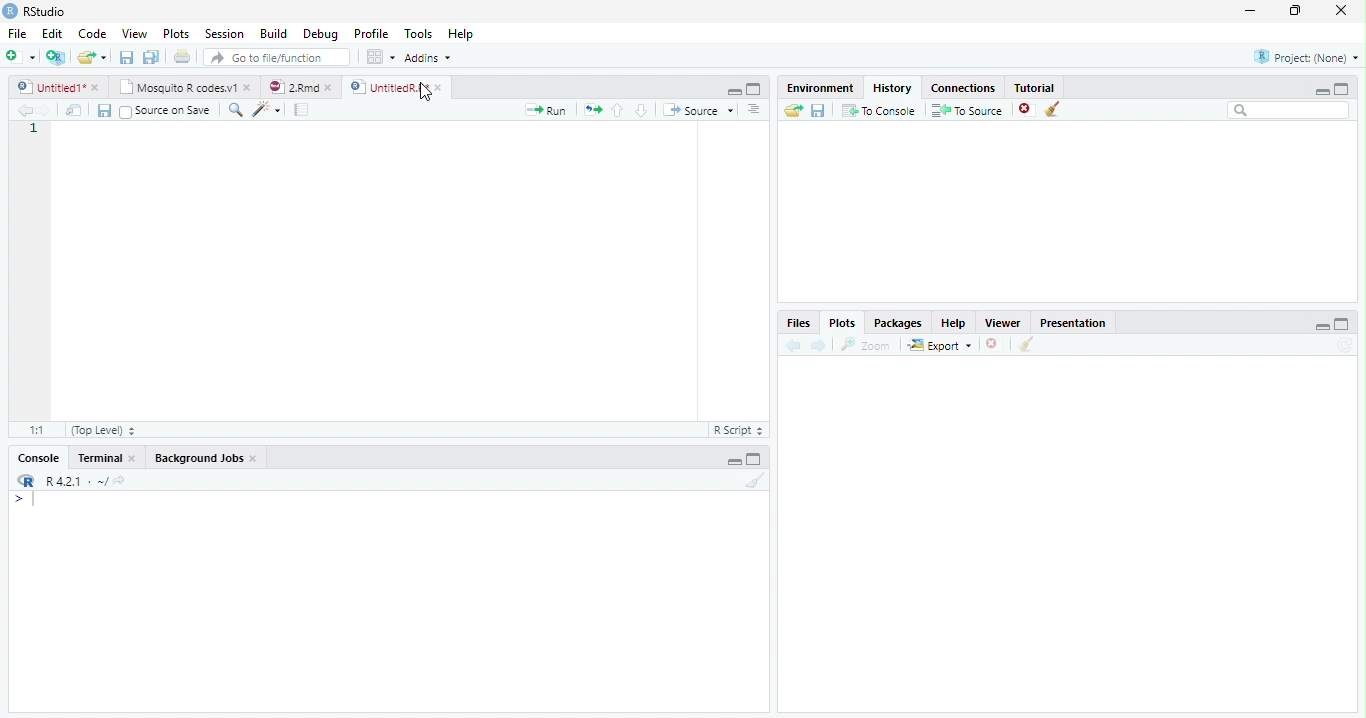 The image size is (1366, 718). What do you see at coordinates (277, 34) in the screenshot?
I see `Build` at bounding box center [277, 34].